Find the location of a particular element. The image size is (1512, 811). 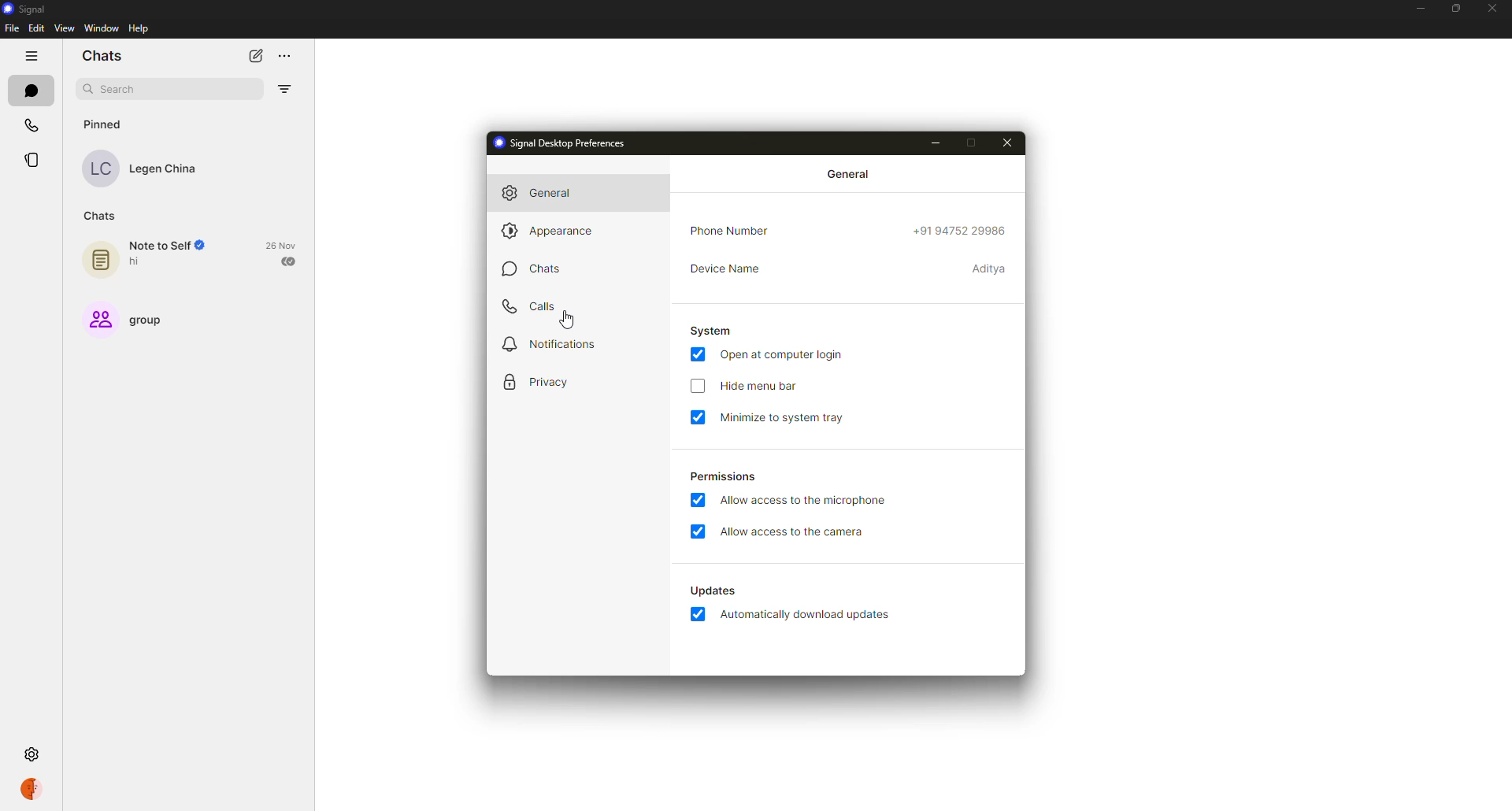

click to enable is located at coordinates (699, 388).